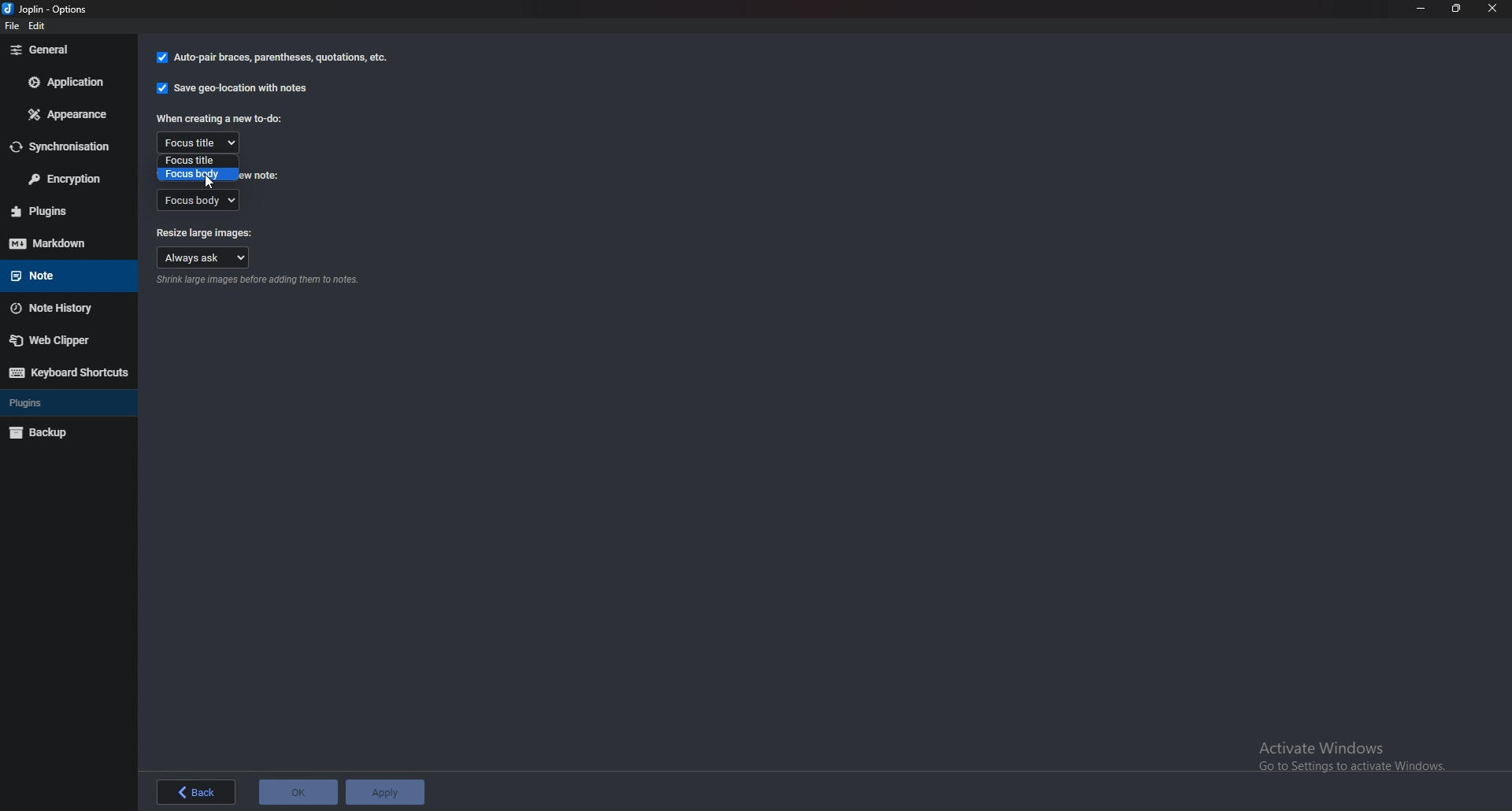 The height and width of the screenshot is (811, 1512). Describe the element at coordinates (52, 9) in the screenshot. I see `options` at that location.